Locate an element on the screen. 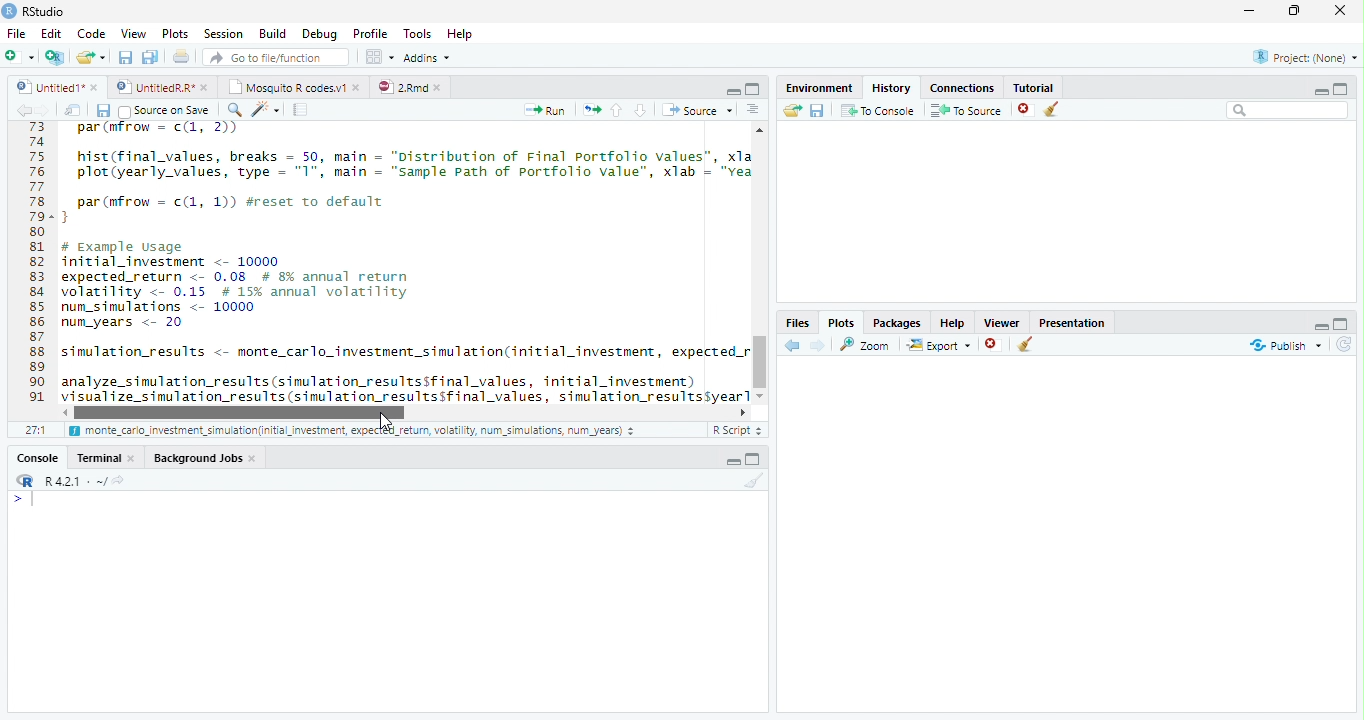  Show document outline is located at coordinates (753, 111).